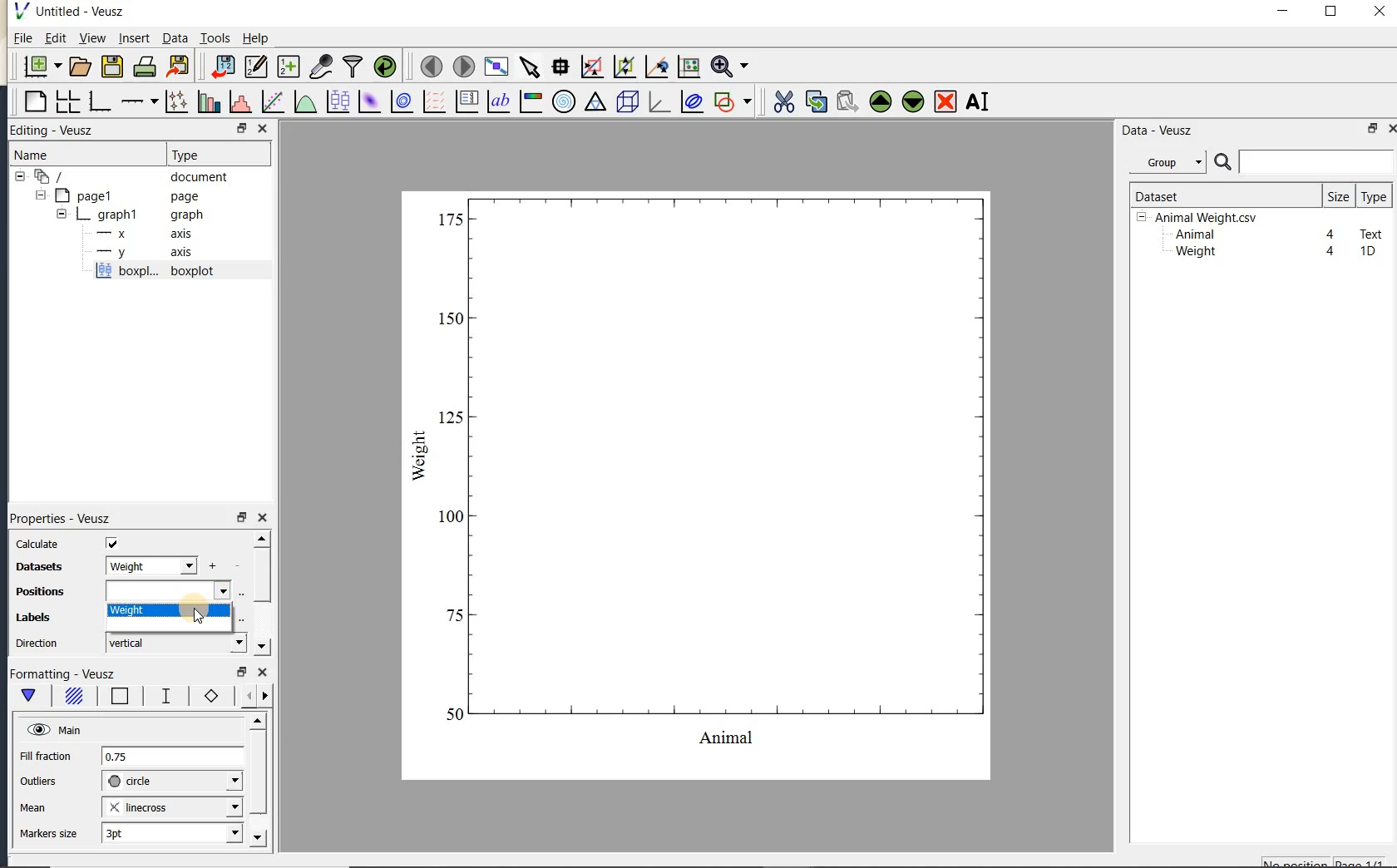  What do you see at coordinates (690, 101) in the screenshot?
I see `plot covariance ellipses` at bounding box center [690, 101].